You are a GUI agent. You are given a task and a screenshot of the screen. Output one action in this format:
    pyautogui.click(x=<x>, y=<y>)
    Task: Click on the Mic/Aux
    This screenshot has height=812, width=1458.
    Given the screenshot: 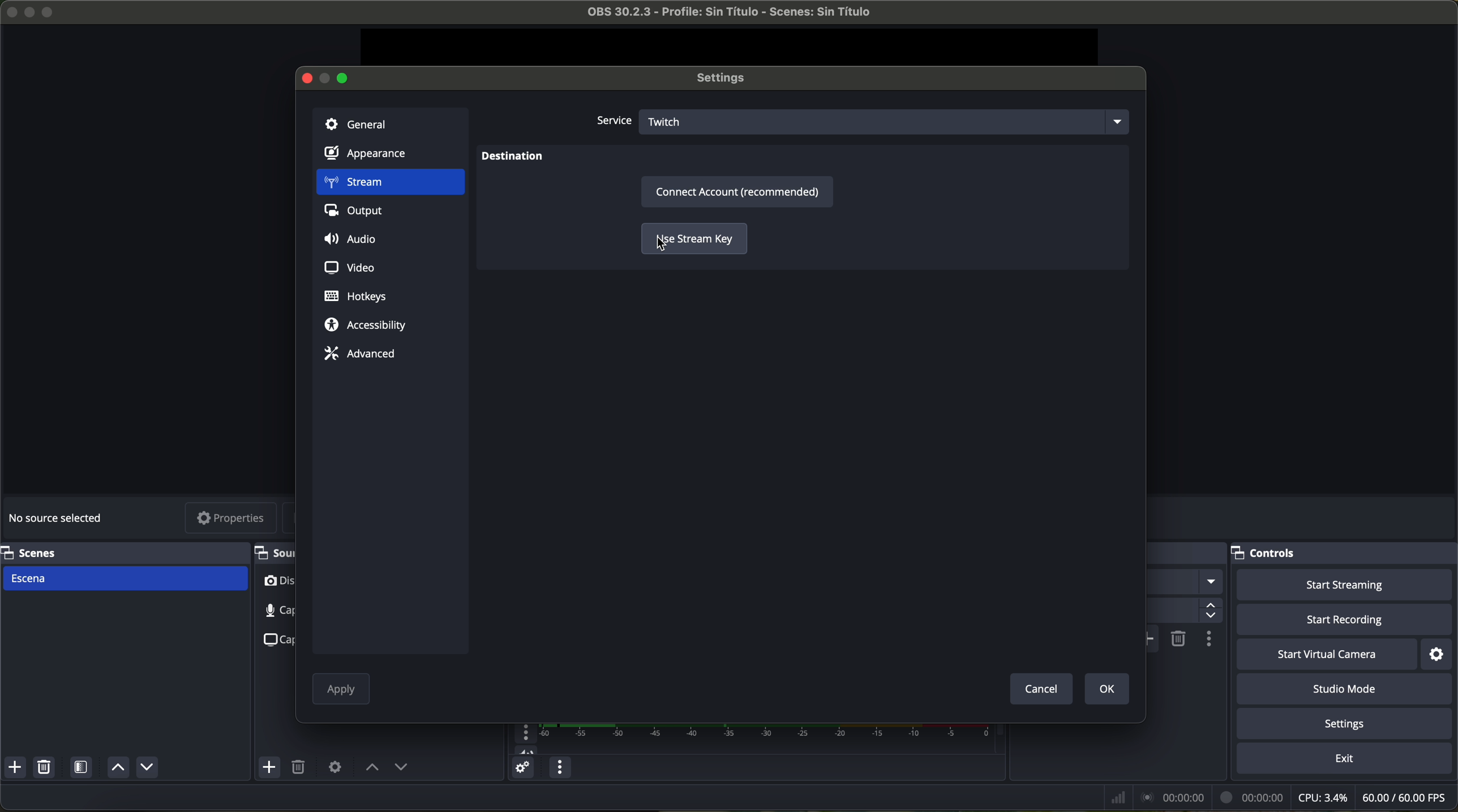 What is the action you would take?
    pyautogui.click(x=748, y=739)
    